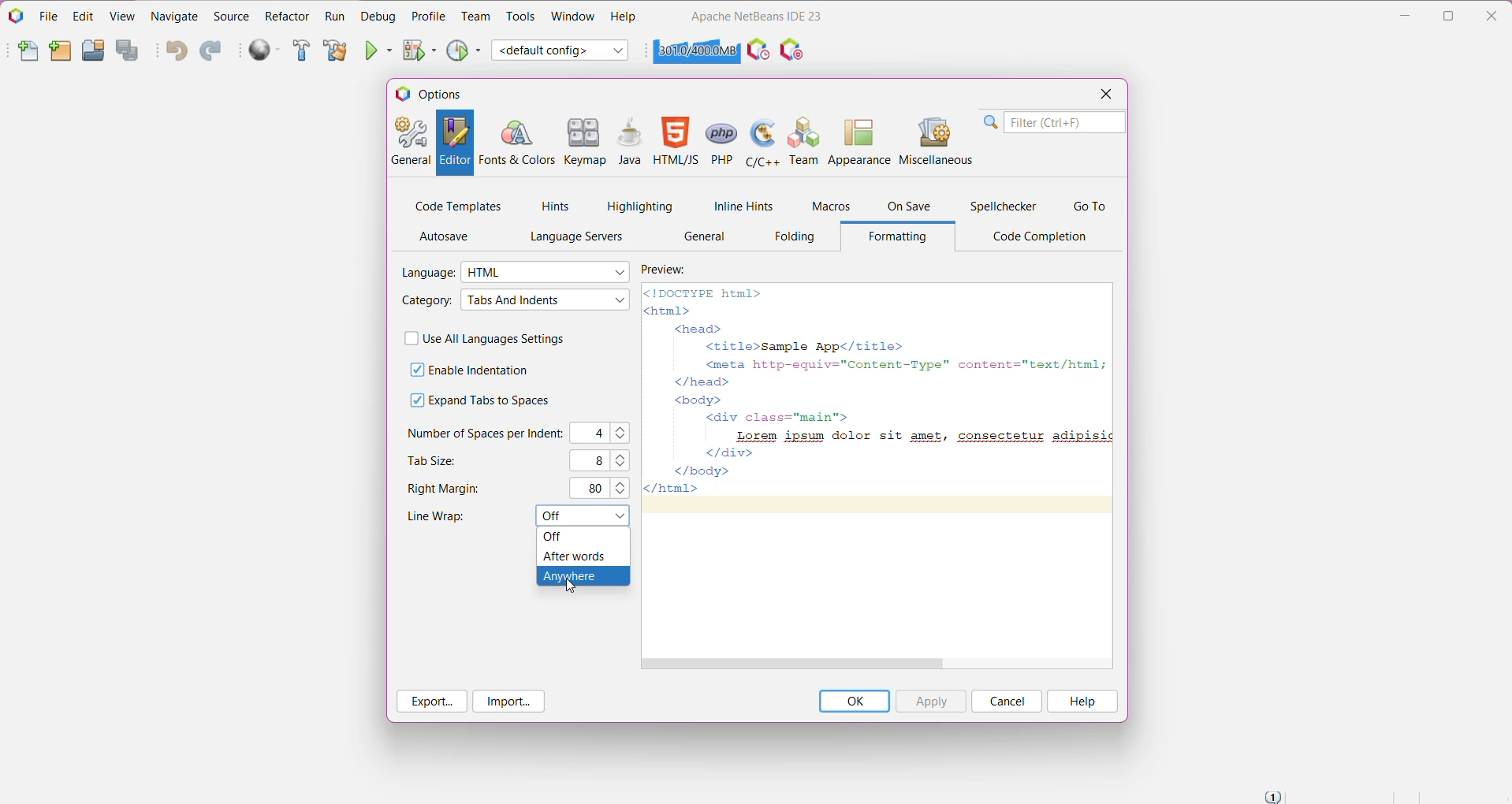 The image size is (1512, 804). Describe the element at coordinates (703, 293) in the screenshot. I see `<!DOCTYPE html>` at that location.